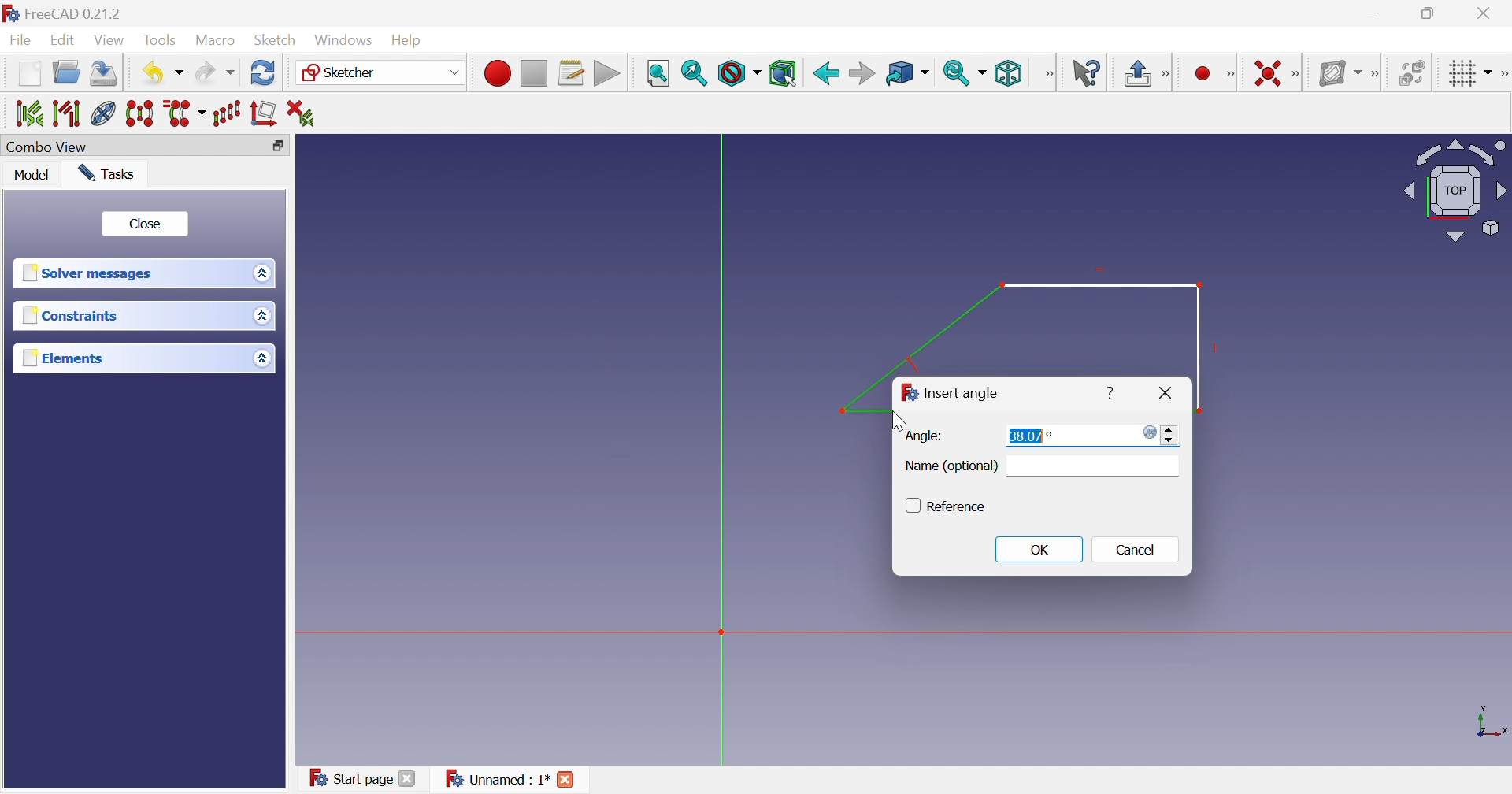 Image resolution: width=1512 pixels, height=794 pixels. What do you see at coordinates (300, 112) in the screenshot?
I see `Delete all constraints` at bounding box center [300, 112].